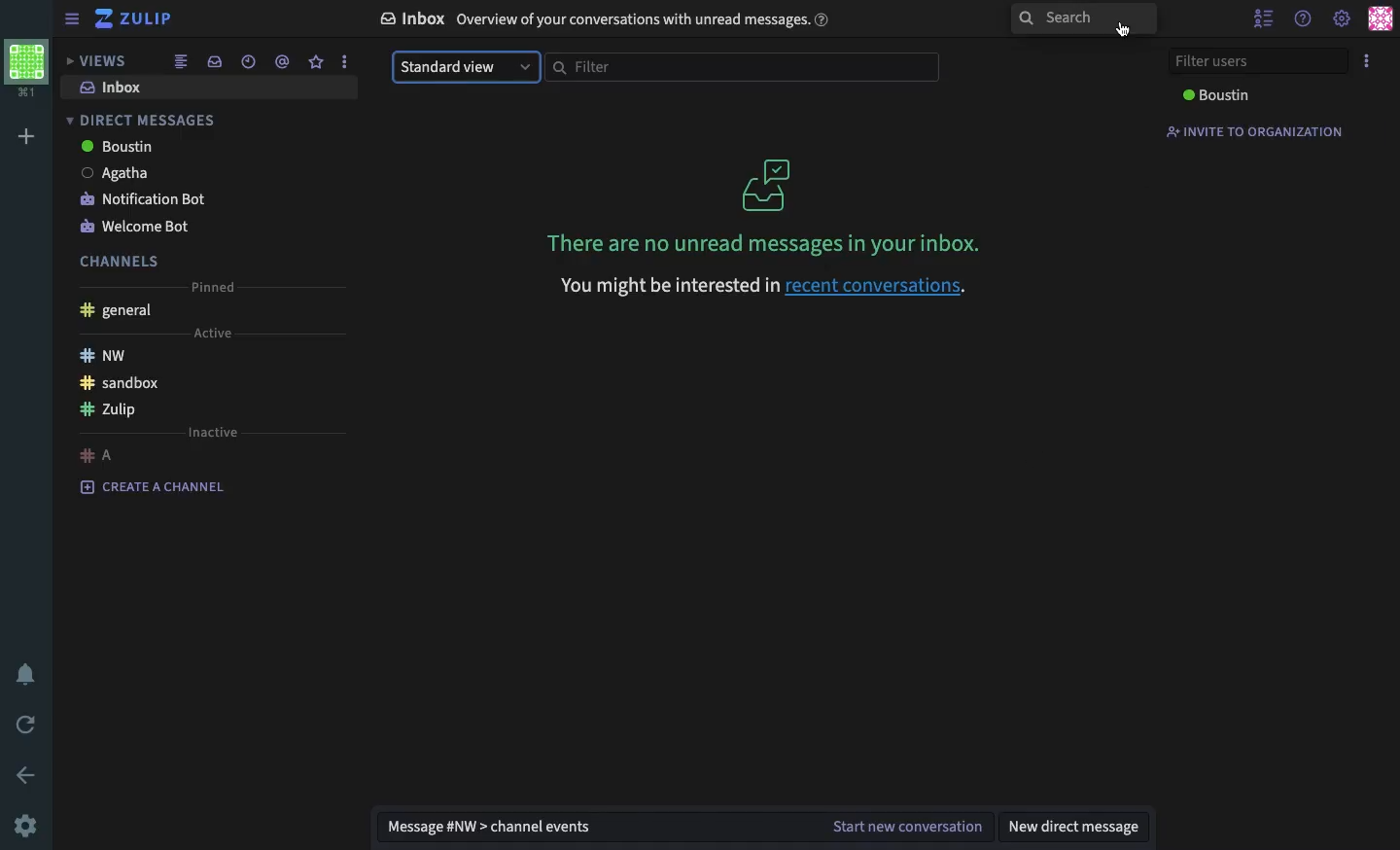 The height and width of the screenshot is (850, 1400). I want to click on inbox, so click(608, 22).